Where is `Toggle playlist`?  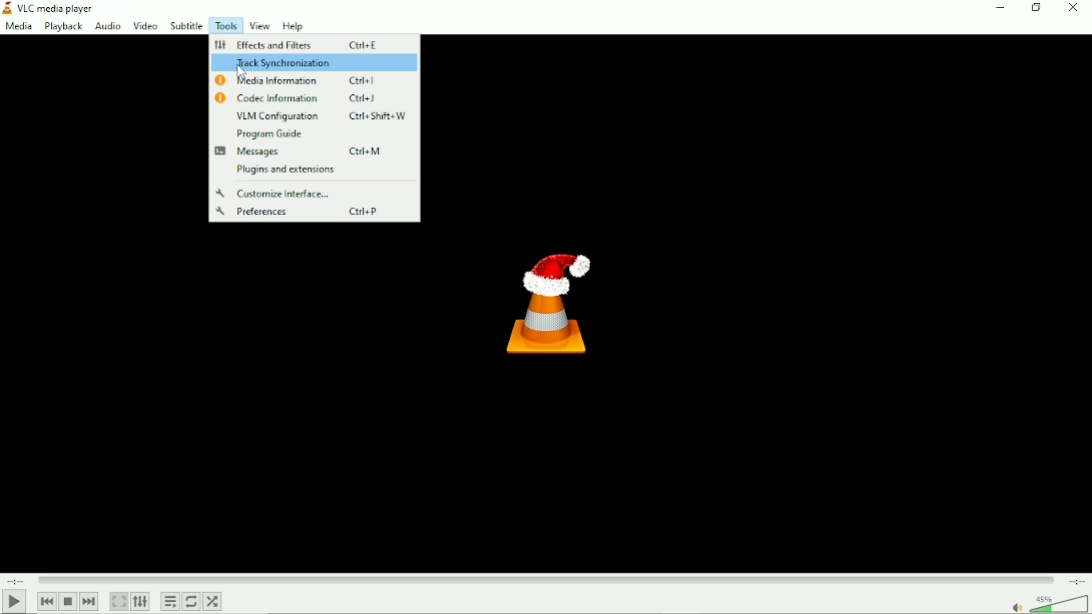
Toggle playlist is located at coordinates (170, 602).